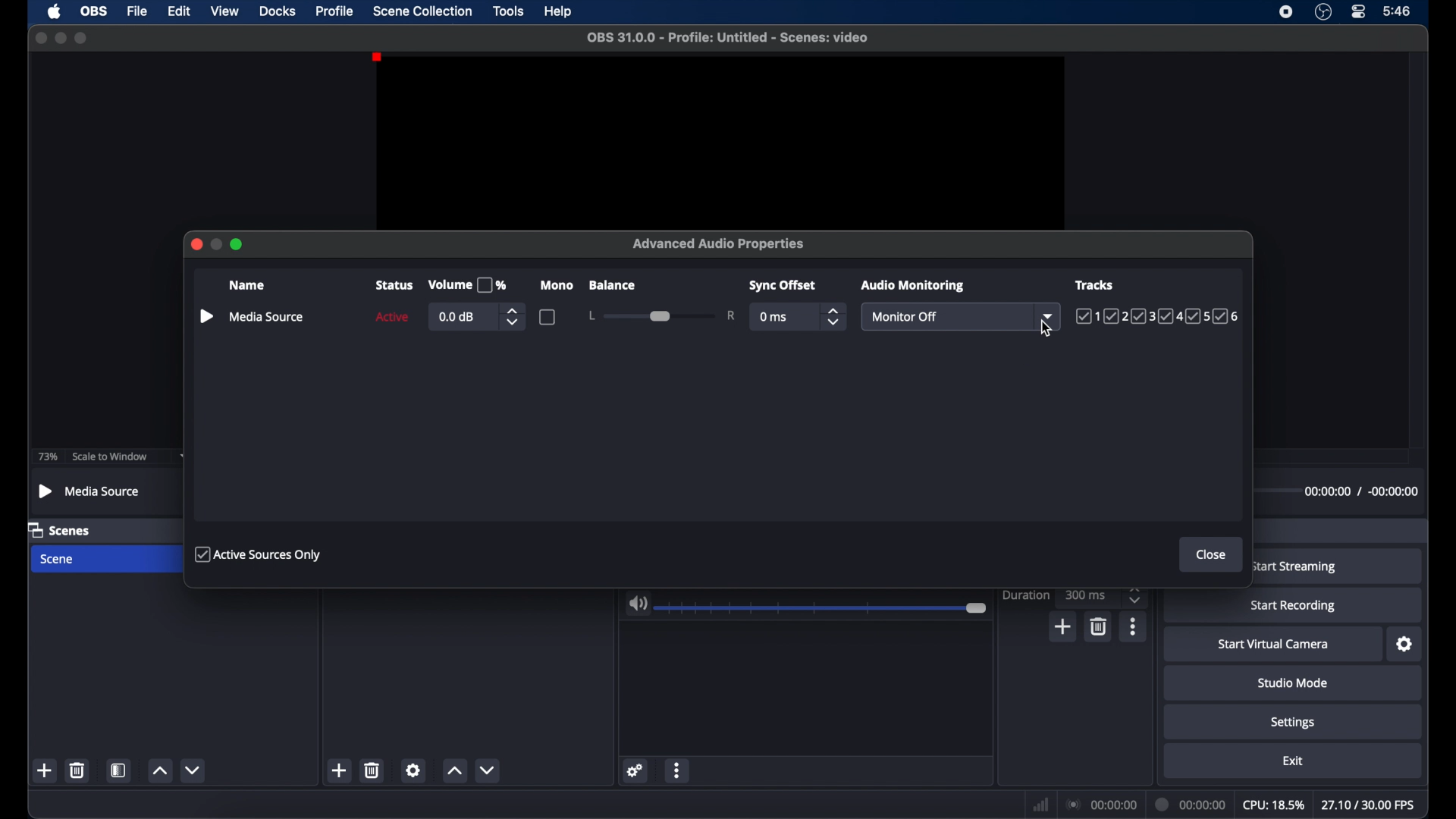 The width and height of the screenshot is (1456, 819). What do you see at coordinates (487, 769) in the screenshot?
I see `decrement` at bounding box center [487, 769].